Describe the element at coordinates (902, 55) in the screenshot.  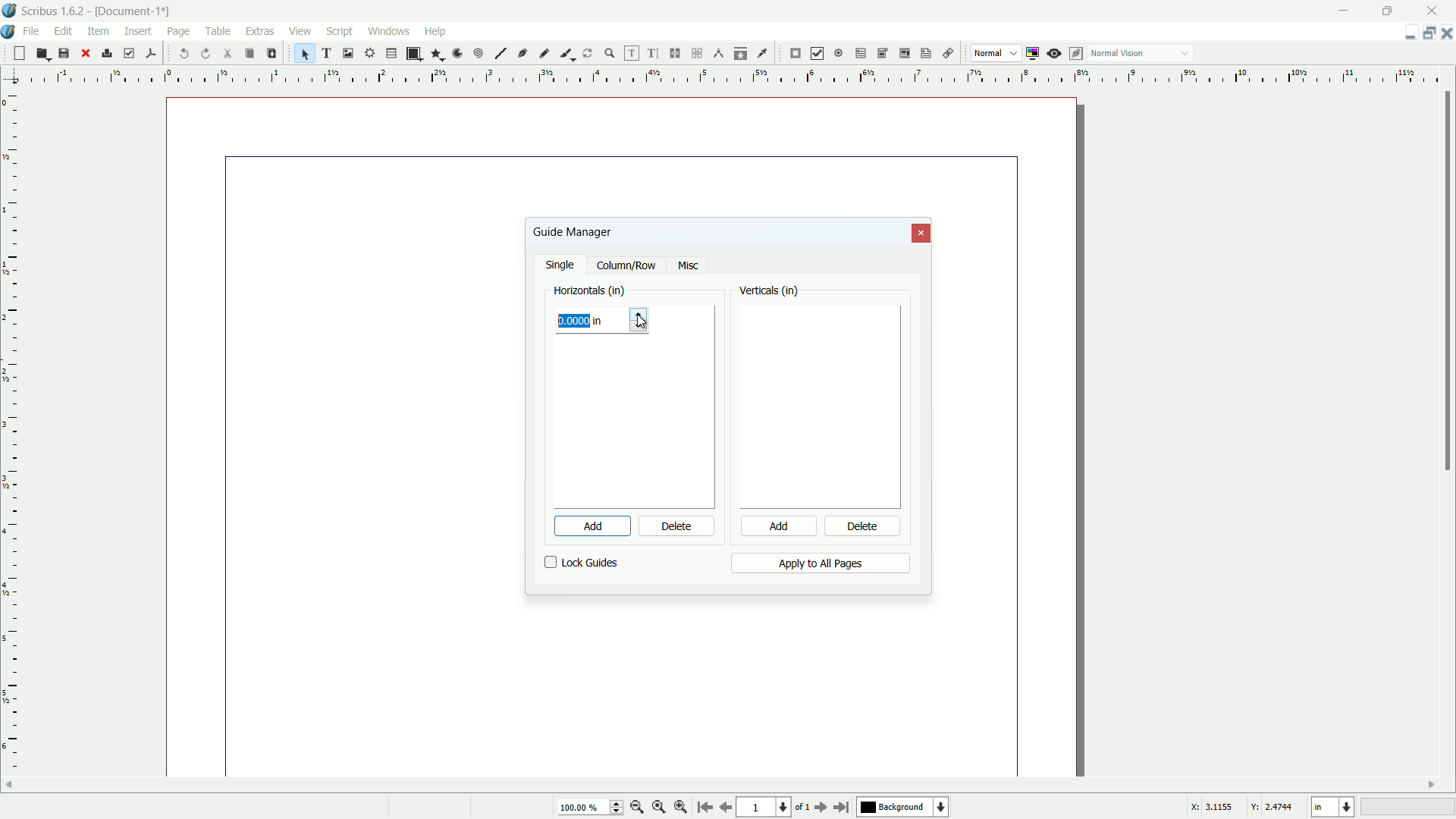
I see `pdf list box` at that location.